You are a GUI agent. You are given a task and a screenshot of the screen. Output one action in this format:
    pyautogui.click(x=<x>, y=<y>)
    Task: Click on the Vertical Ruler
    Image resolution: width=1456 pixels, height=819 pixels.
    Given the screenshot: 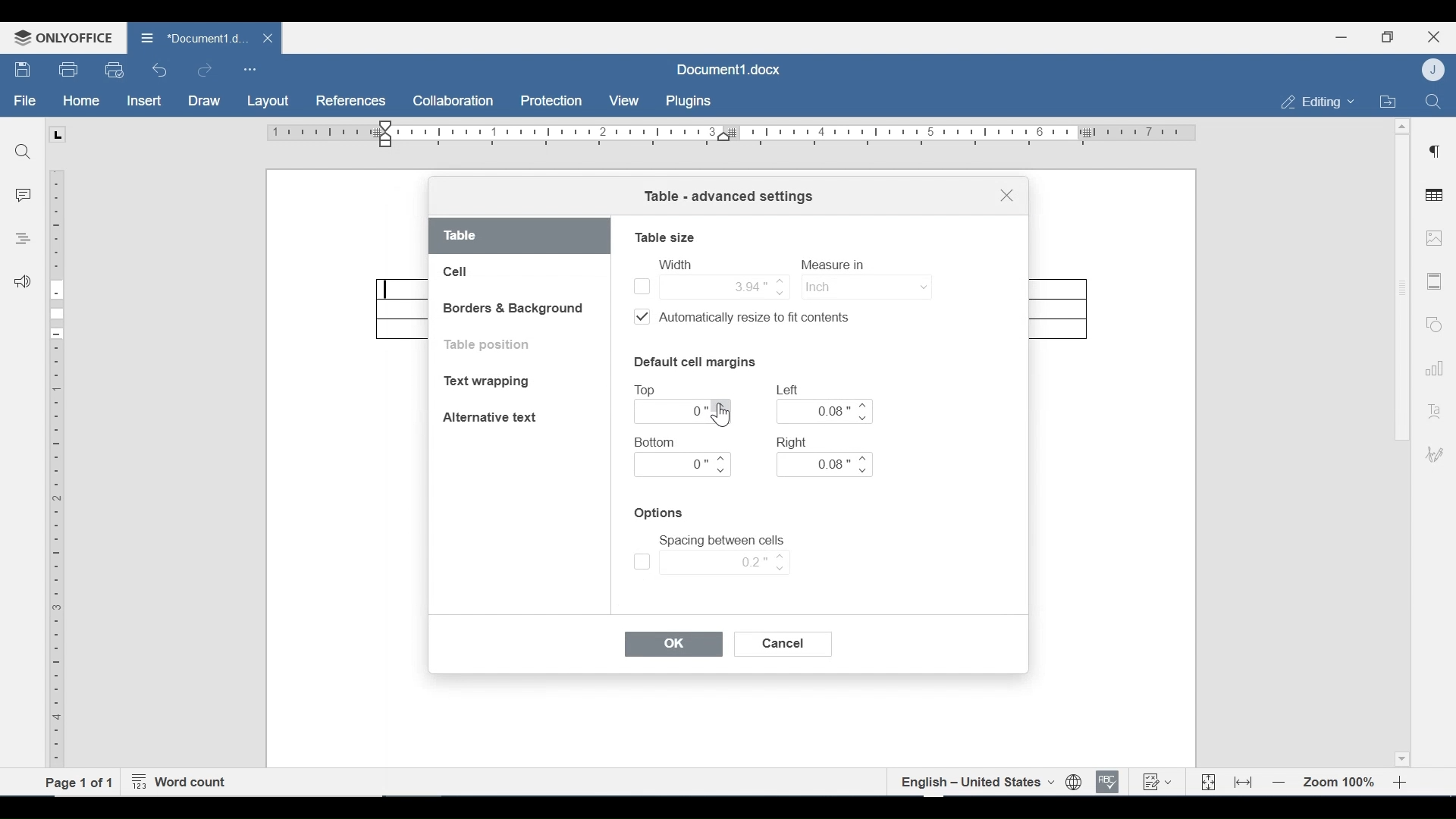 What is the action you would take?
    pyautogui.click(x=58, y=469)
    